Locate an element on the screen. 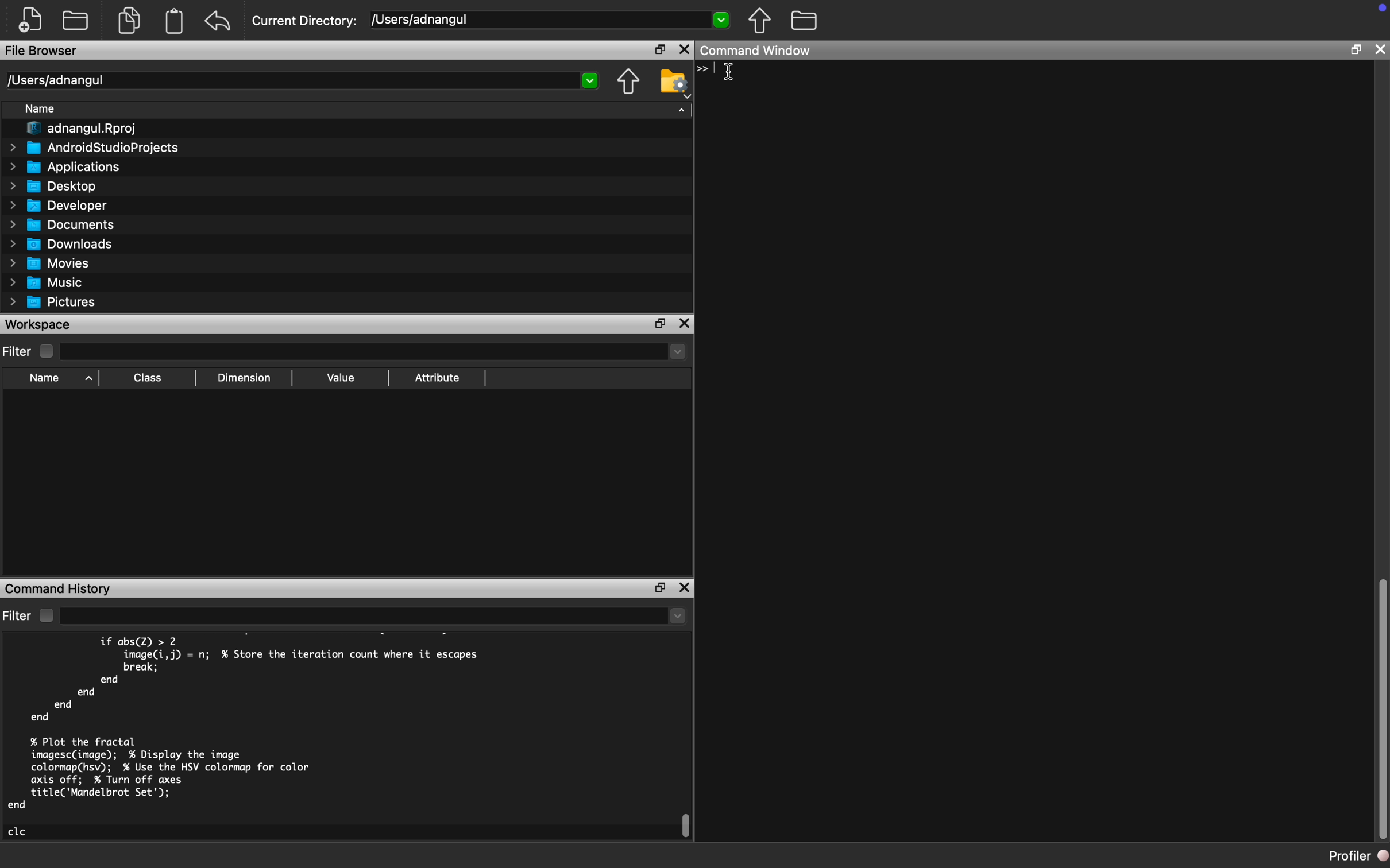 The width and height of the screenshot is (1390, 868). Restore Down is located at coordinates (662, 49).